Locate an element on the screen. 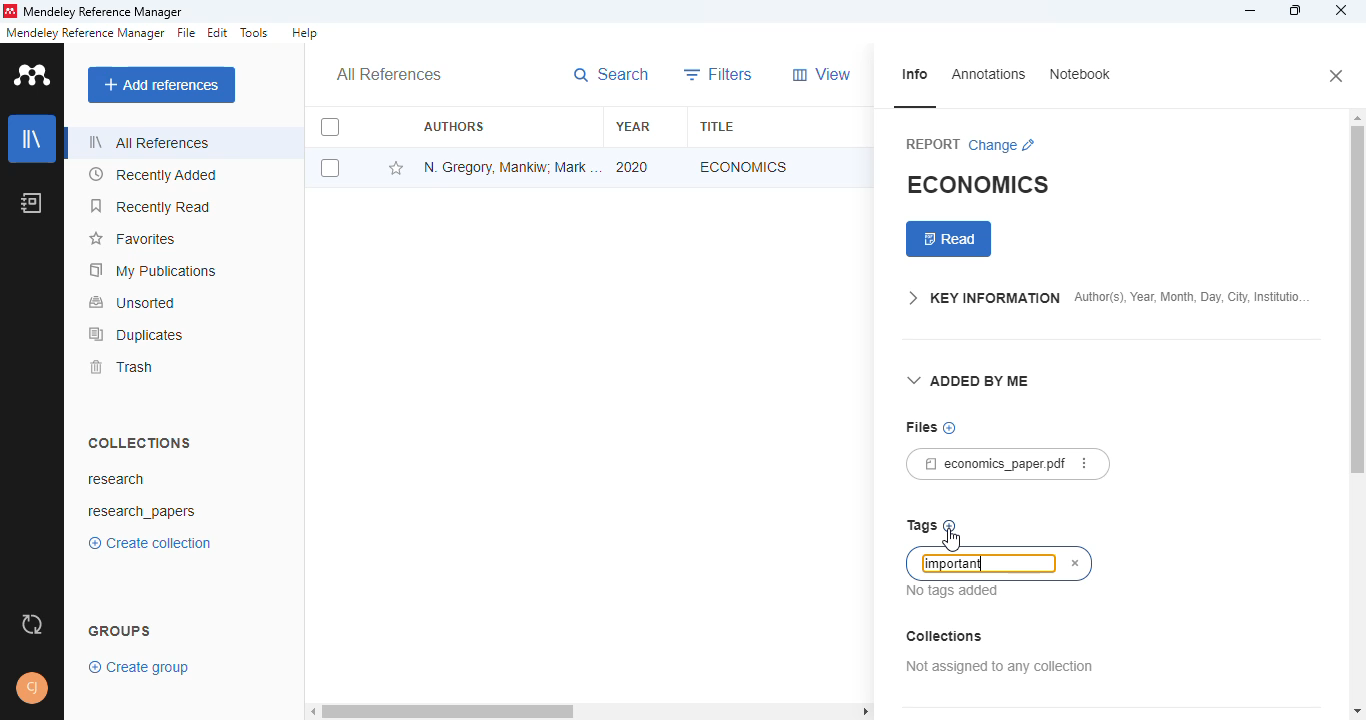 This screenshot has width=1366, height=720. filters is located at coordinates (719, 75).